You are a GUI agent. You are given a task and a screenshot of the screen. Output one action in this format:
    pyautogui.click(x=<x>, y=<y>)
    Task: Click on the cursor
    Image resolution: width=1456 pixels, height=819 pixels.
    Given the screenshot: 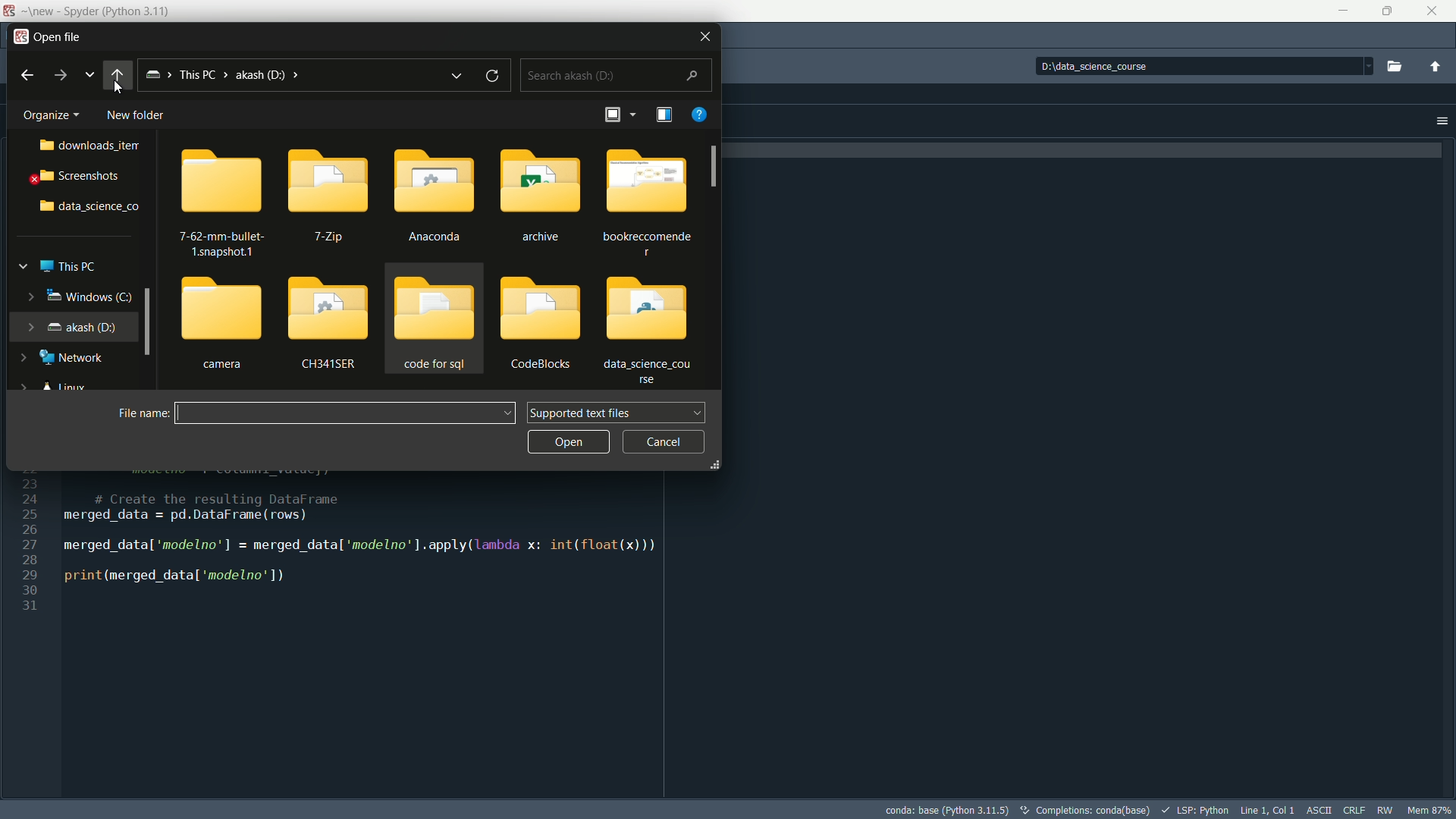 What is the action you would take?
    pyautogui.click(x=119, y=88)
    